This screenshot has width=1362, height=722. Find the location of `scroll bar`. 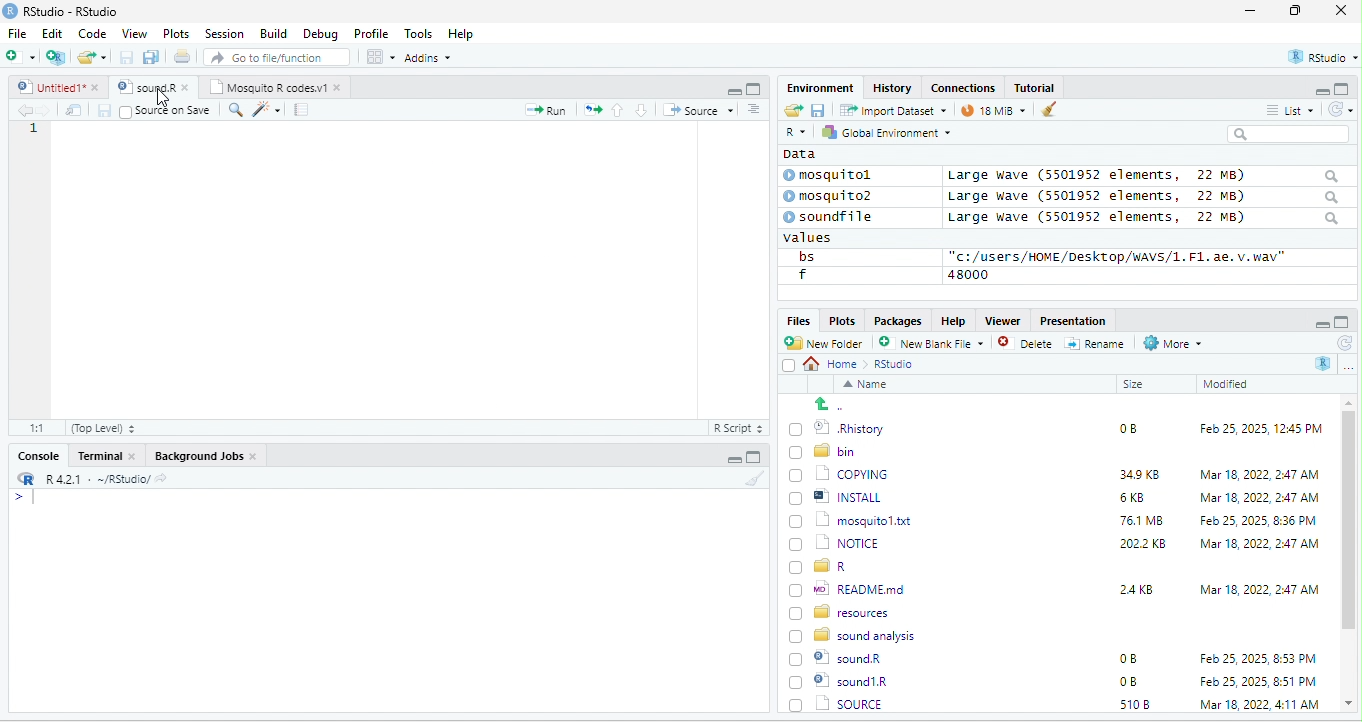

scroll bar is located at coordinates (1349, 554).